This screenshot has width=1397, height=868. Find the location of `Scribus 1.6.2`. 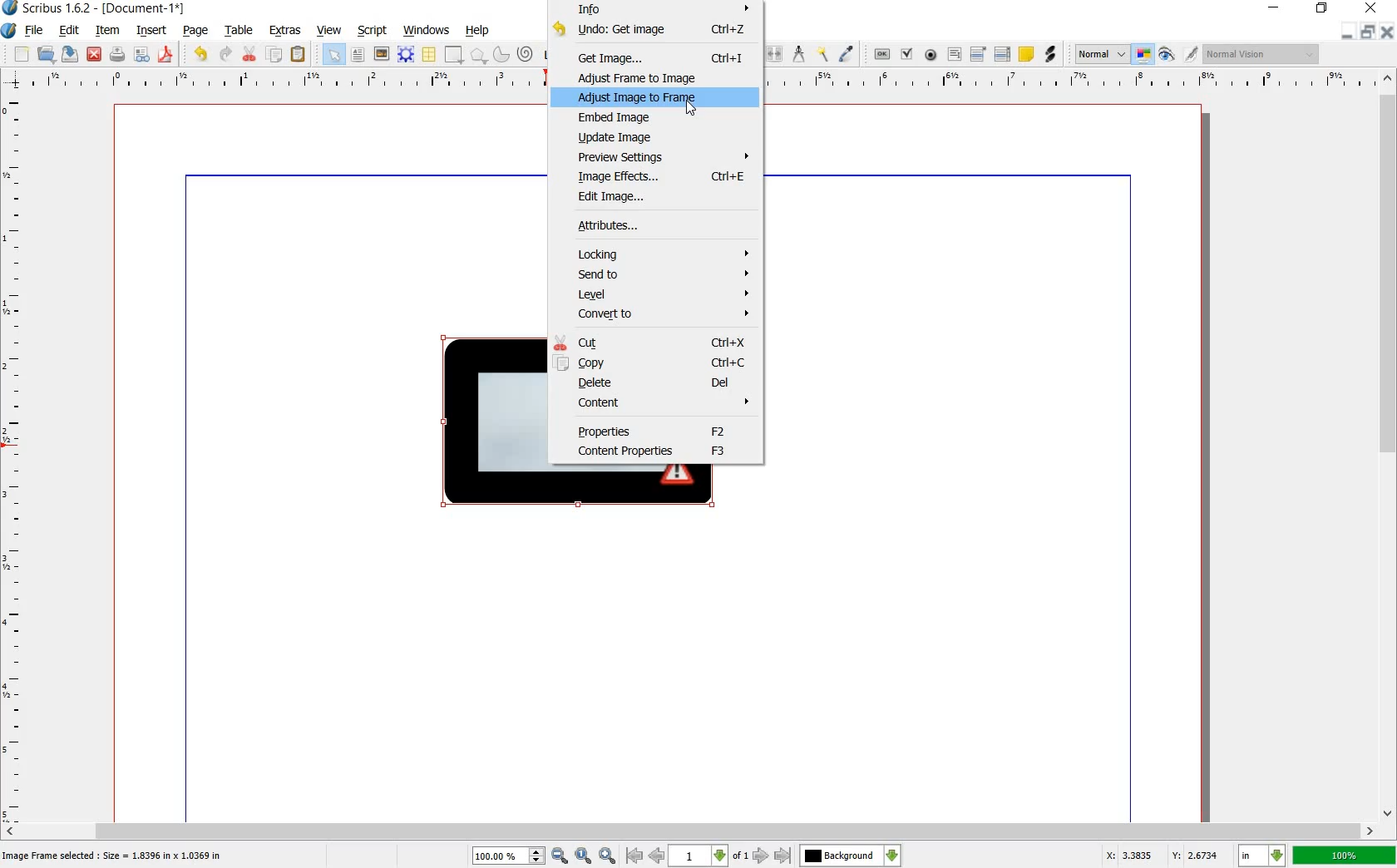

Scribus 1.6.2 is located at coordinates (47, 8).